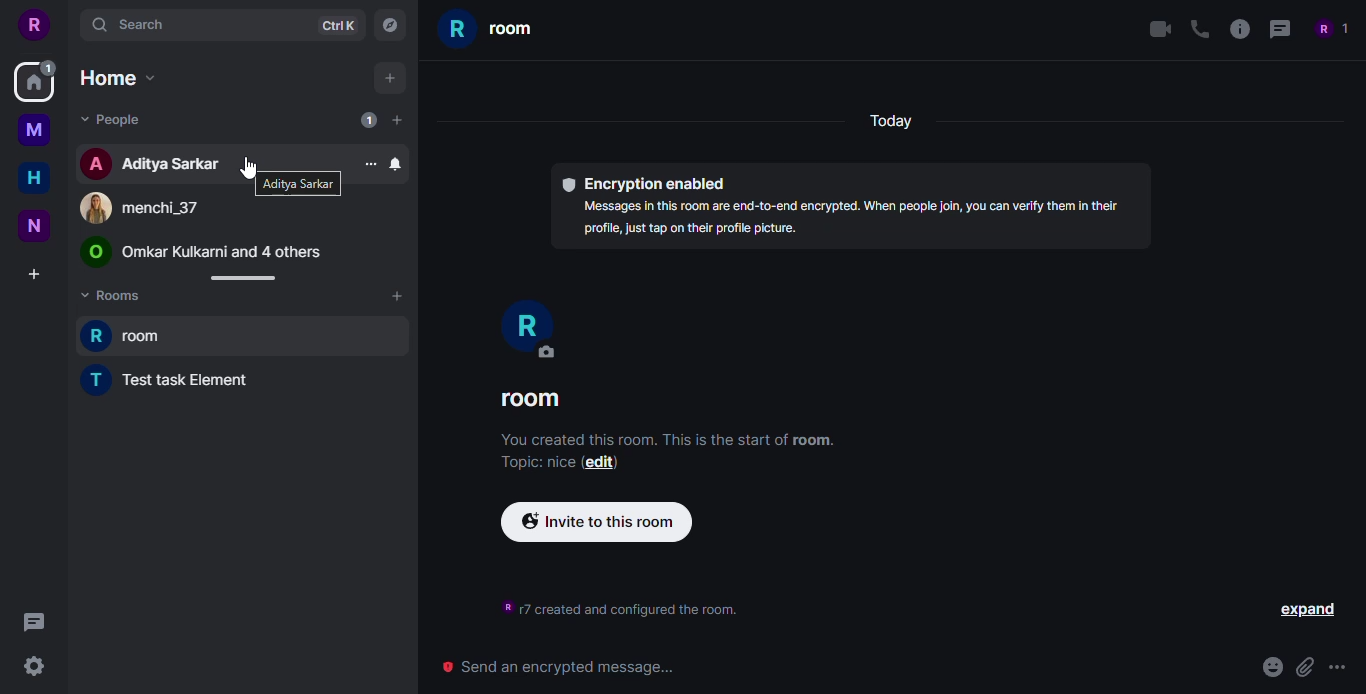  What do you see at coordinates (534, 463) in the screenshot?
I see `topic: nice` at bounding box center [534, 463].